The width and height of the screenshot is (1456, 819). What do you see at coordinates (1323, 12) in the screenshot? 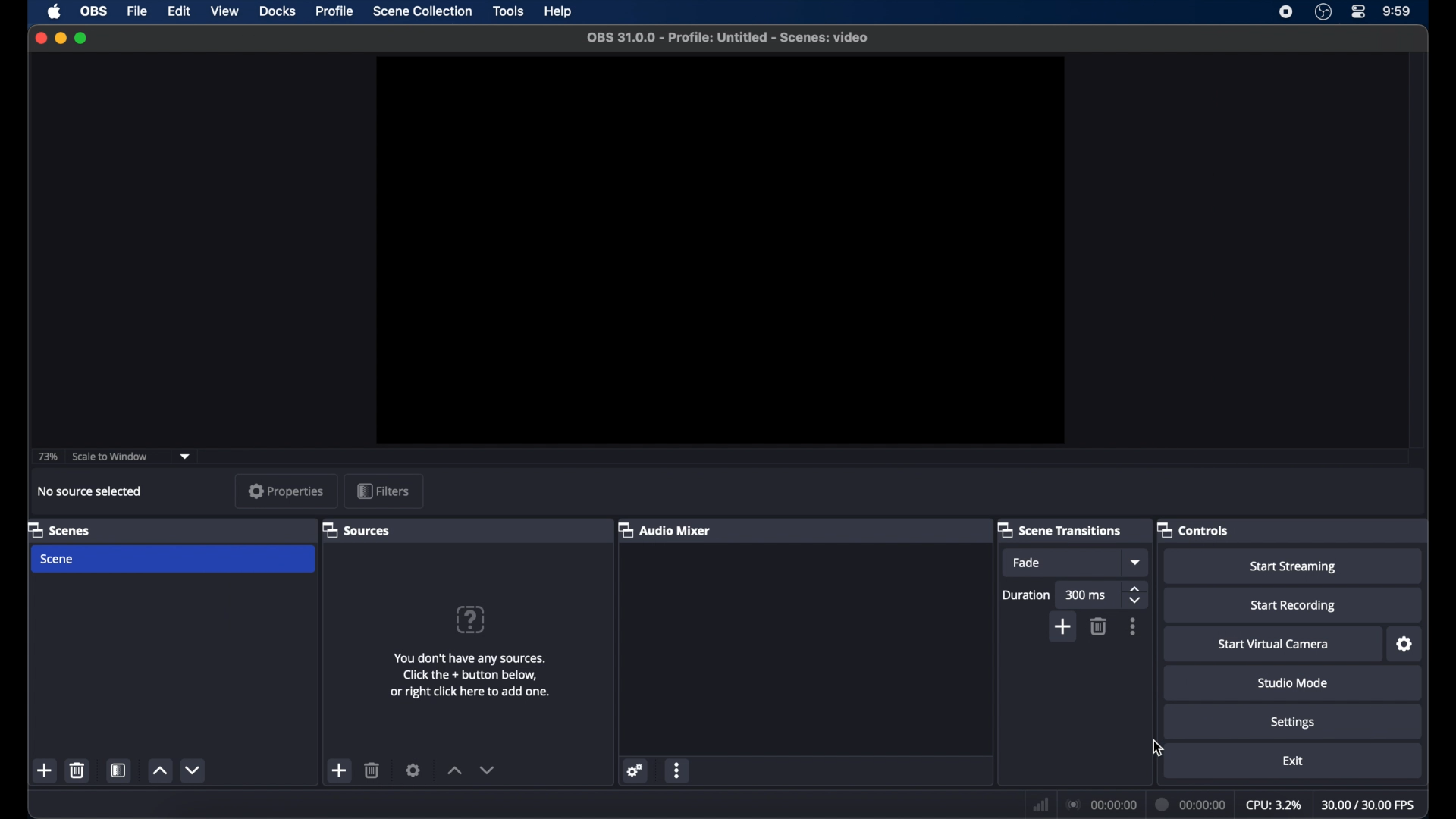
I see `obs studio` at bounding box center [1323, 12].